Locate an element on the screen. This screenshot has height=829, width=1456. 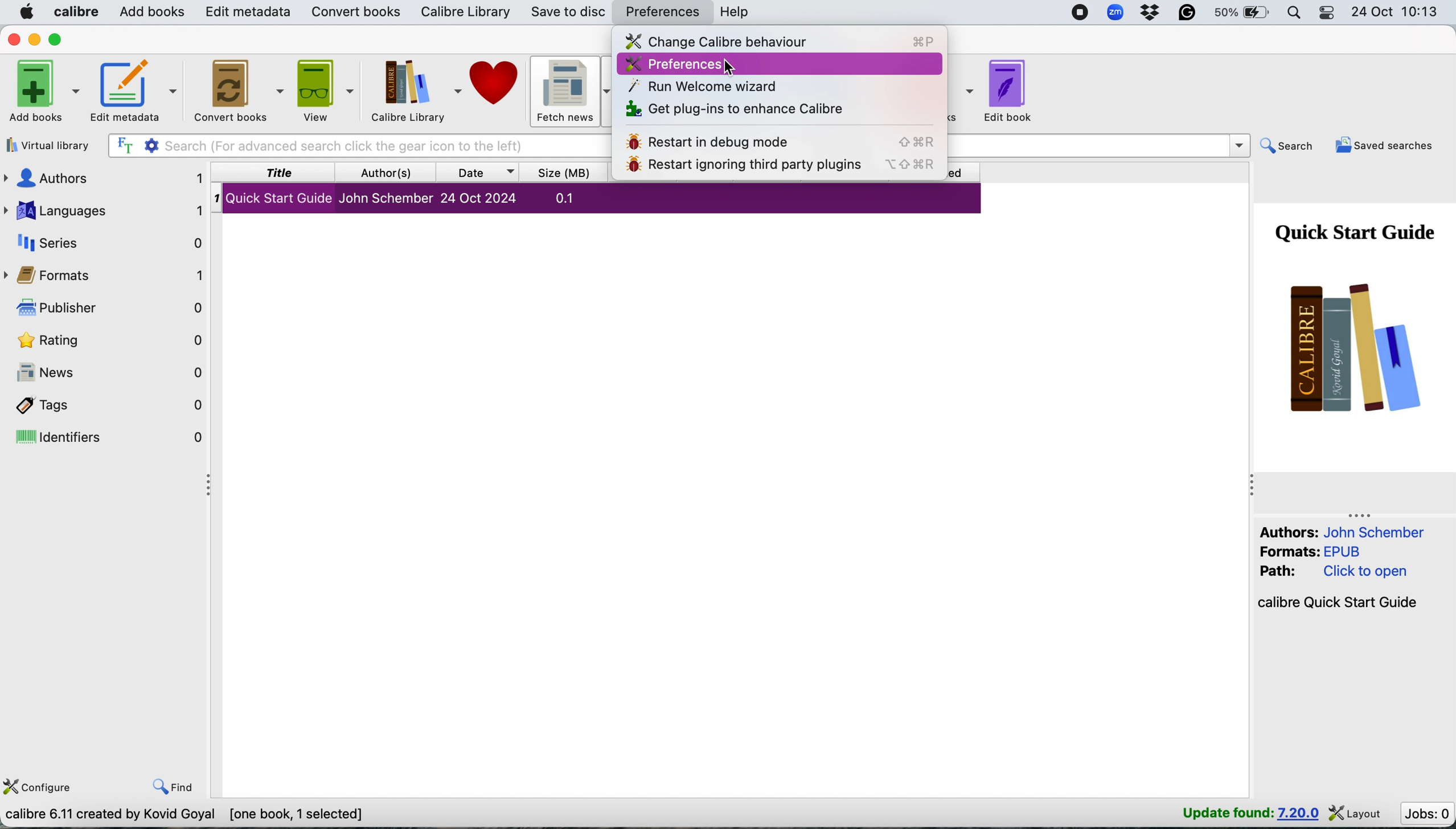
donate is located at coordinates (499, 93).